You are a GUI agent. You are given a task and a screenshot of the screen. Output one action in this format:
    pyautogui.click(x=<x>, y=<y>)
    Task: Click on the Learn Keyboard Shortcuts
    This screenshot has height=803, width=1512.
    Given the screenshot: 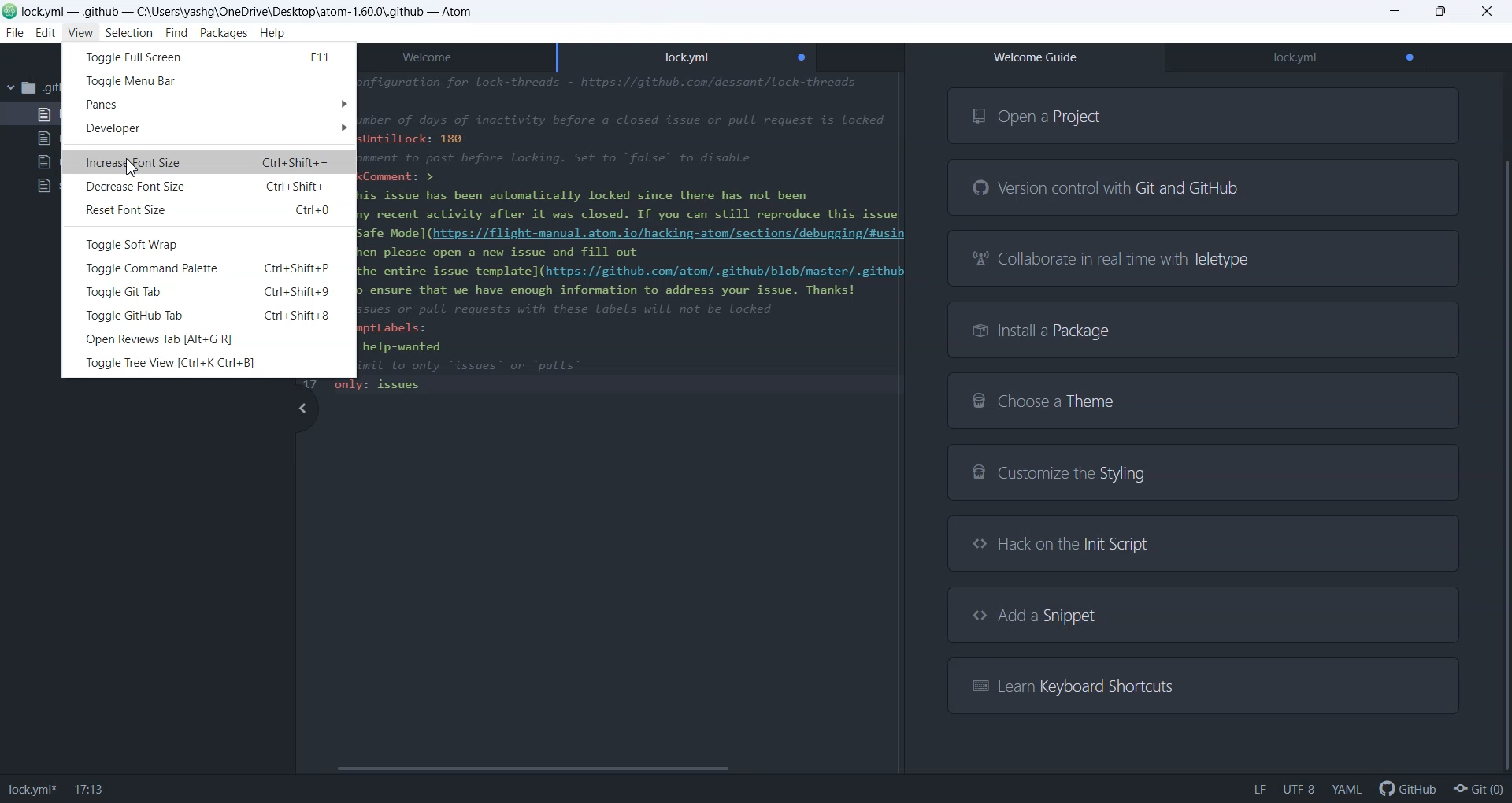 What is the action you would take?
    pyautogui.click(x=1200, y=684)
    